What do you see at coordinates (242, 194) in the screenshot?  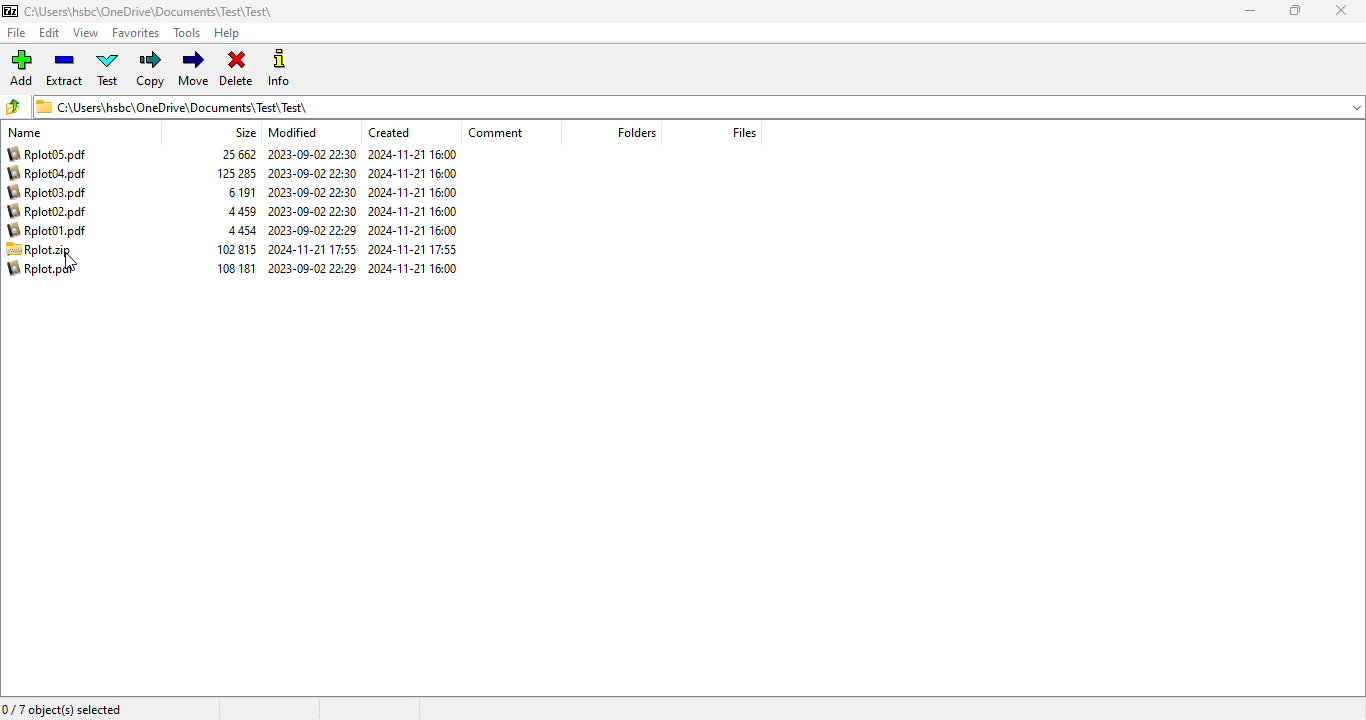 I see `6191` at bounding box center [242, 194].